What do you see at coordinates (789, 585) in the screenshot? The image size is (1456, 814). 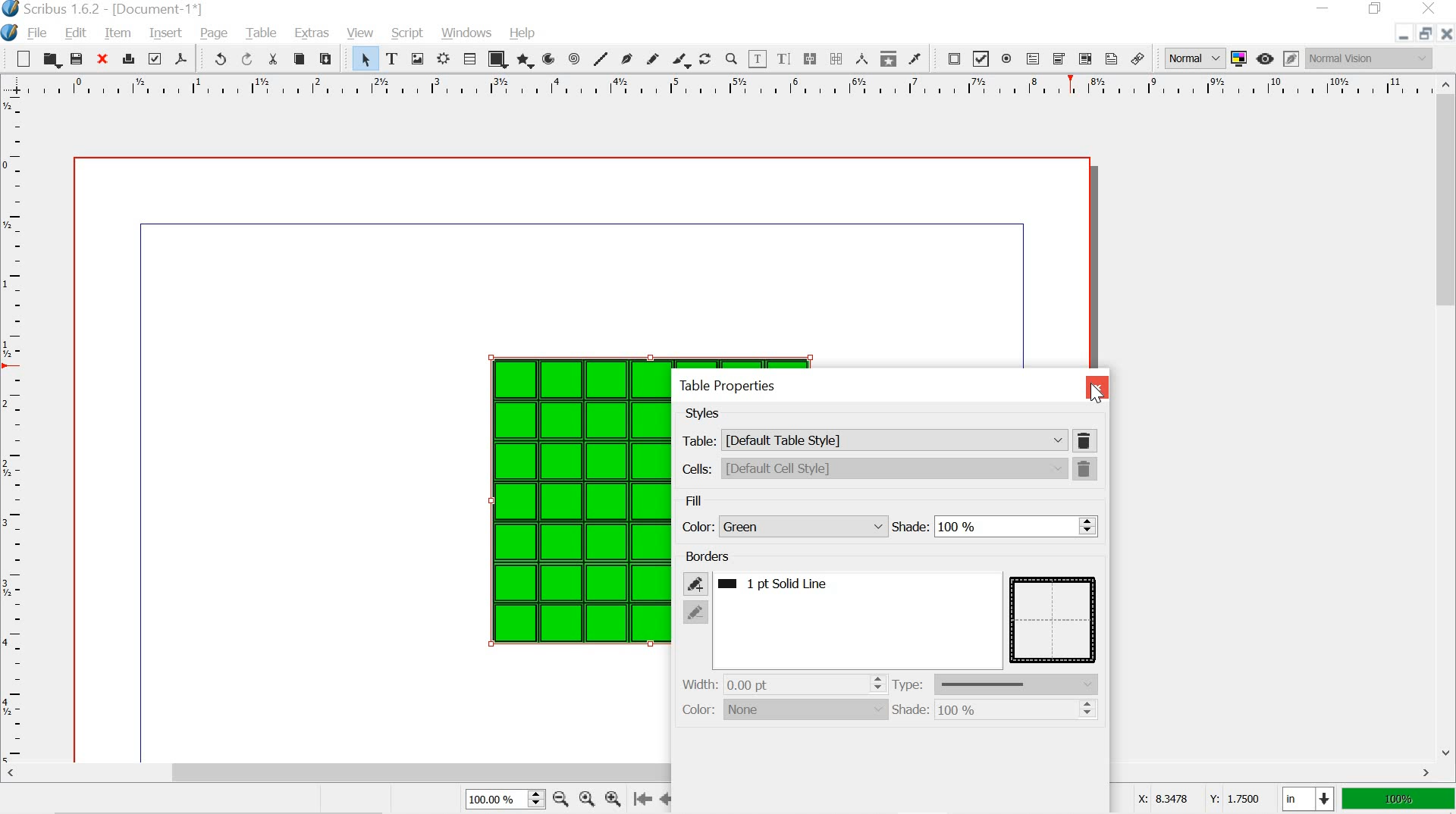 I see `1pt solid line` at bounding box center [789, 585].